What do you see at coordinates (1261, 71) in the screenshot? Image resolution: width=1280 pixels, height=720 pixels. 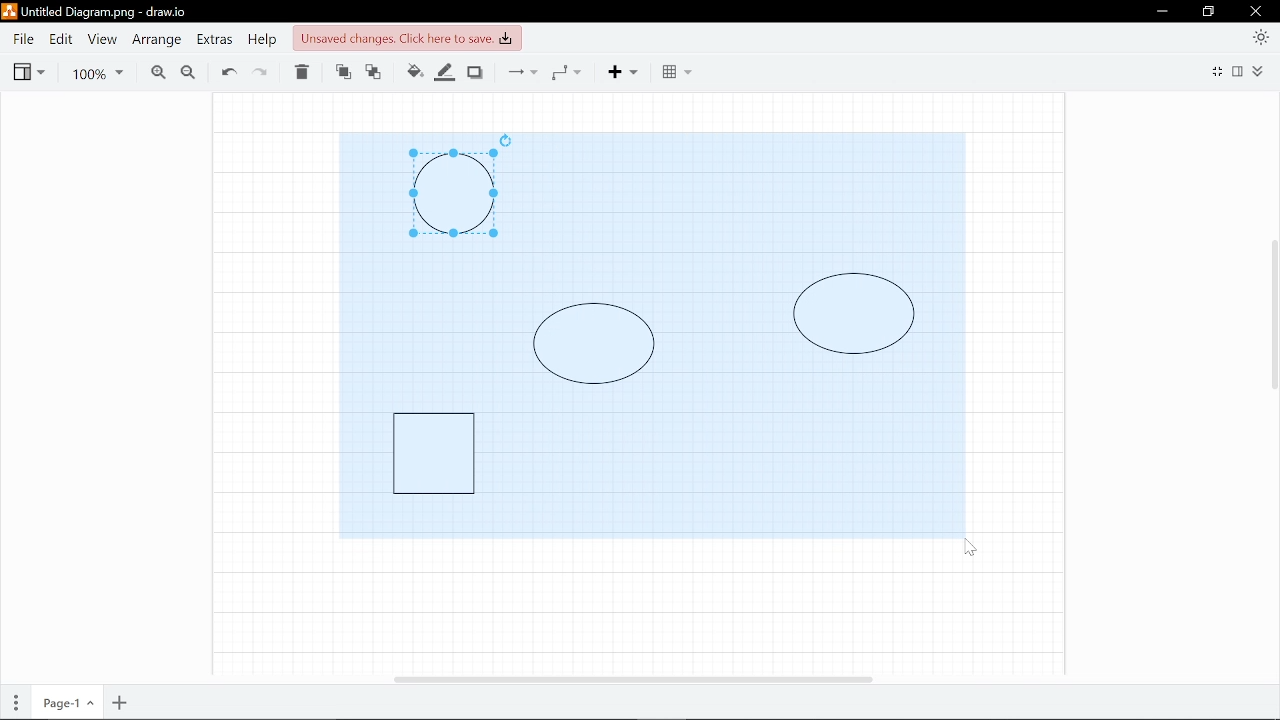 I see `Collapse/expand` at bounding box center [1261, 71].